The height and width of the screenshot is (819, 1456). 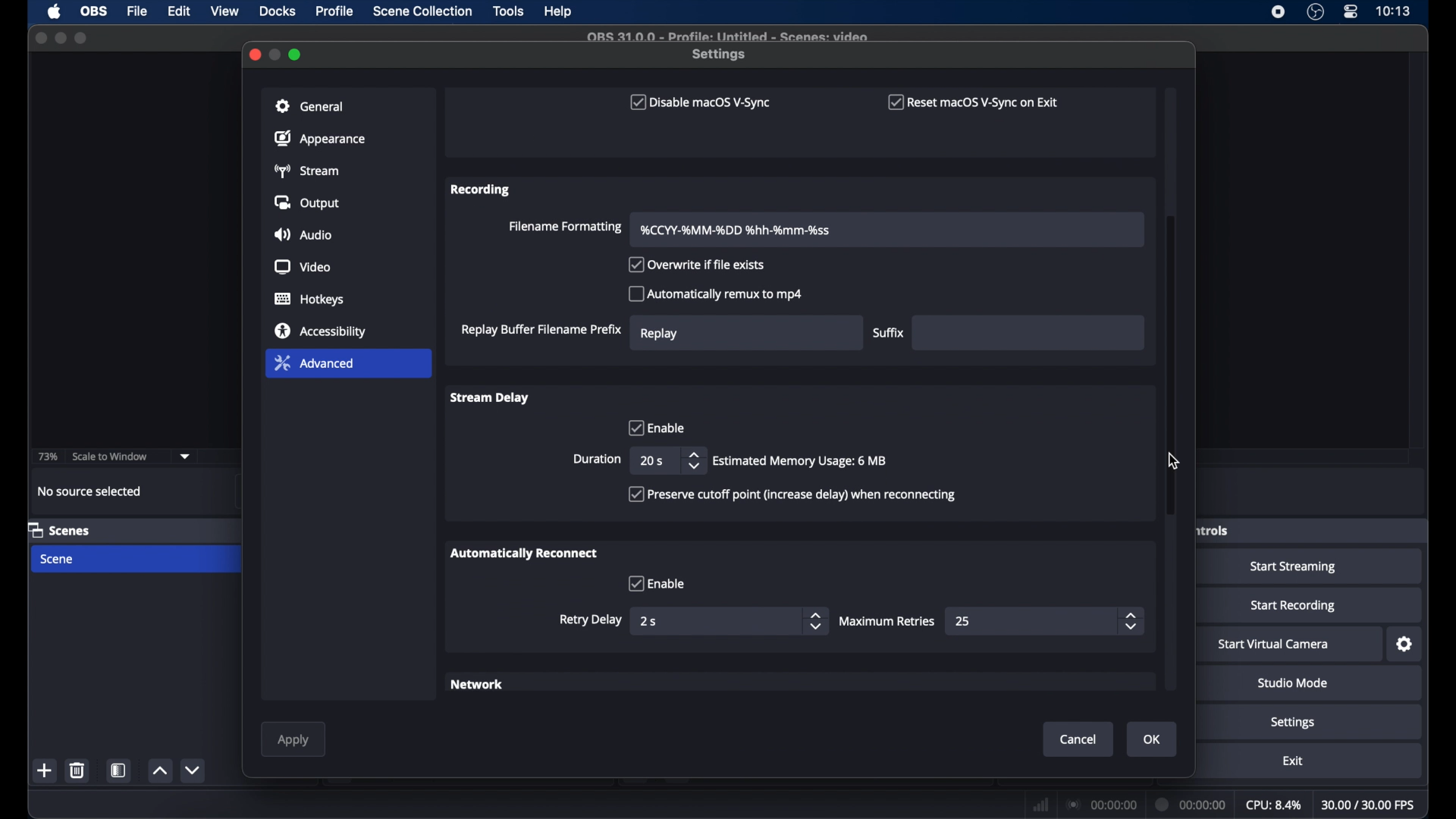 I want to click on scene filters, so click(x=120, y=770).